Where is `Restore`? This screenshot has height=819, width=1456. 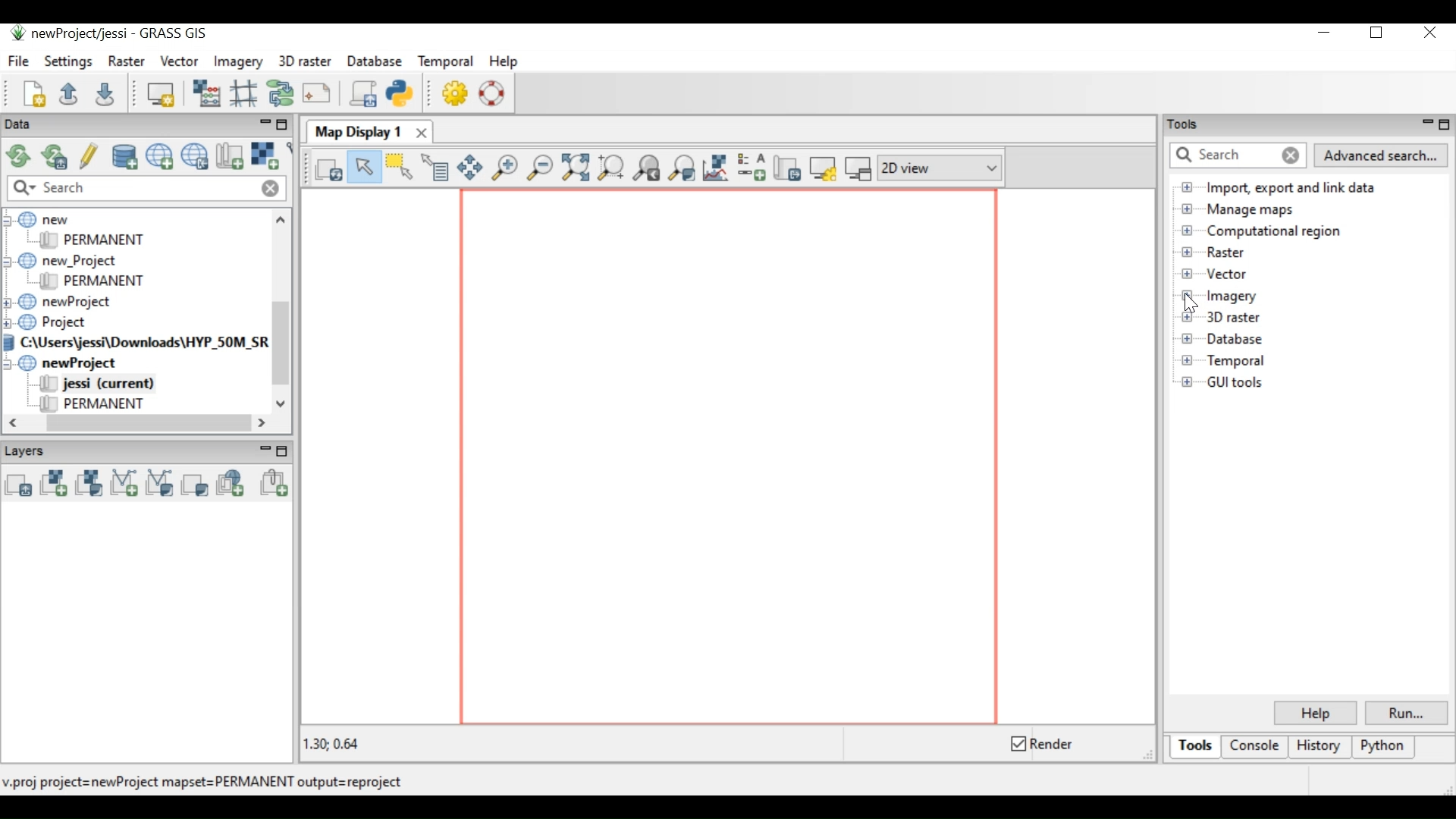 Restore is located at coordinates (285, 452).